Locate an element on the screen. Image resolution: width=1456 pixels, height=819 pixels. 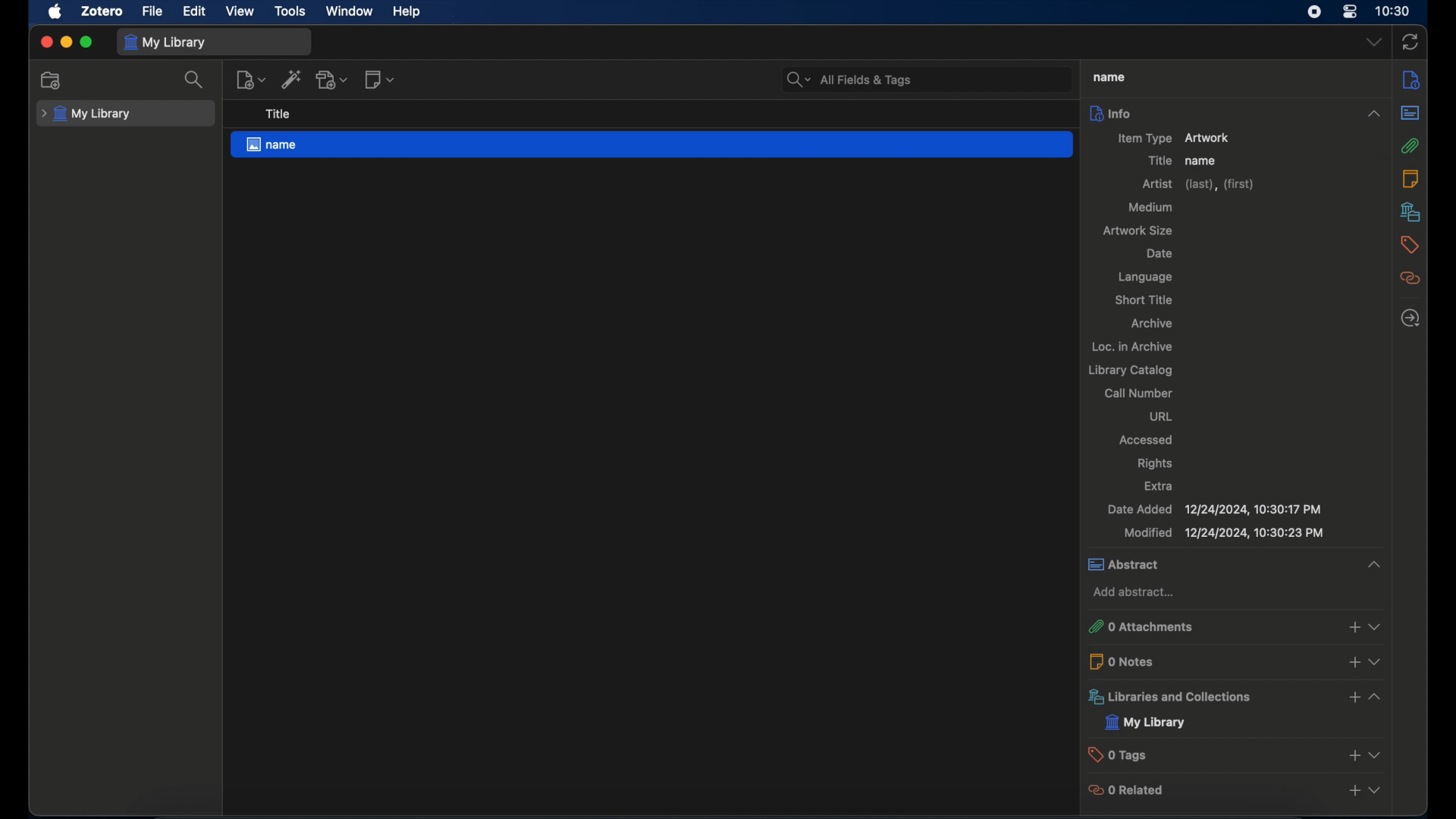
add abstract is located at coordinates (1134, 592).